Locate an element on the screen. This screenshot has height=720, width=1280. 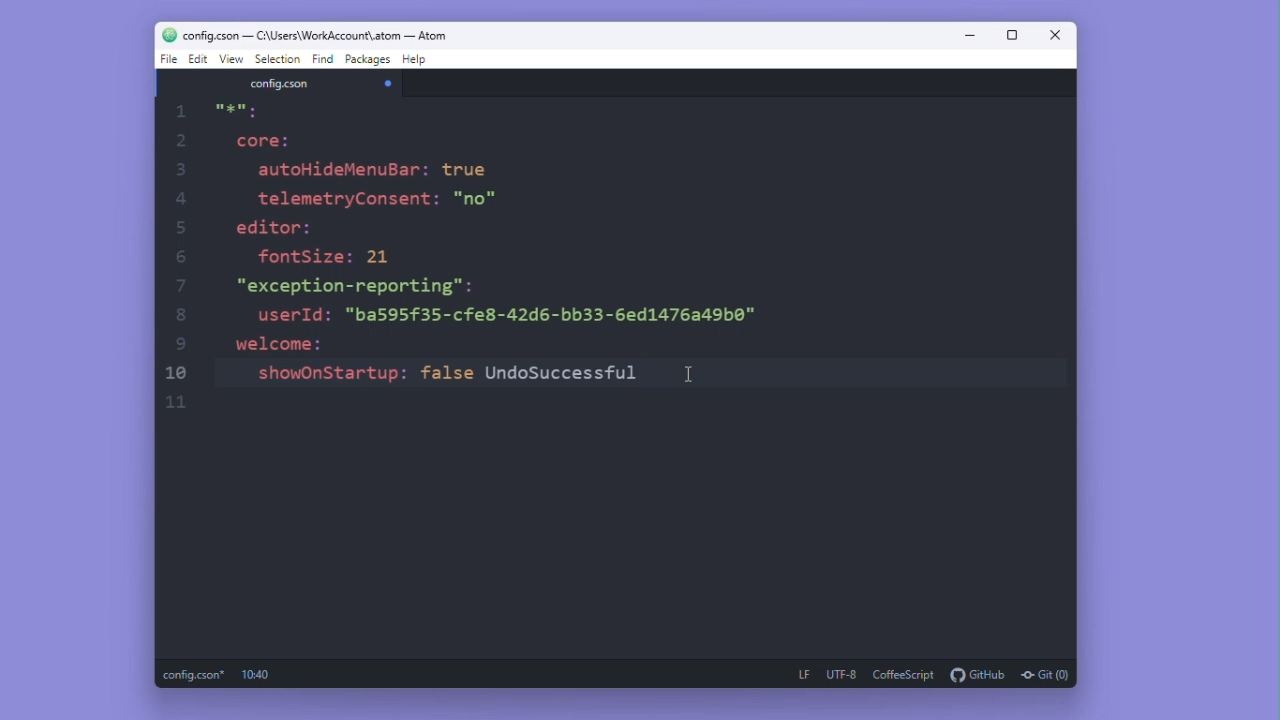
Close is located at coordinates (1058, 38).